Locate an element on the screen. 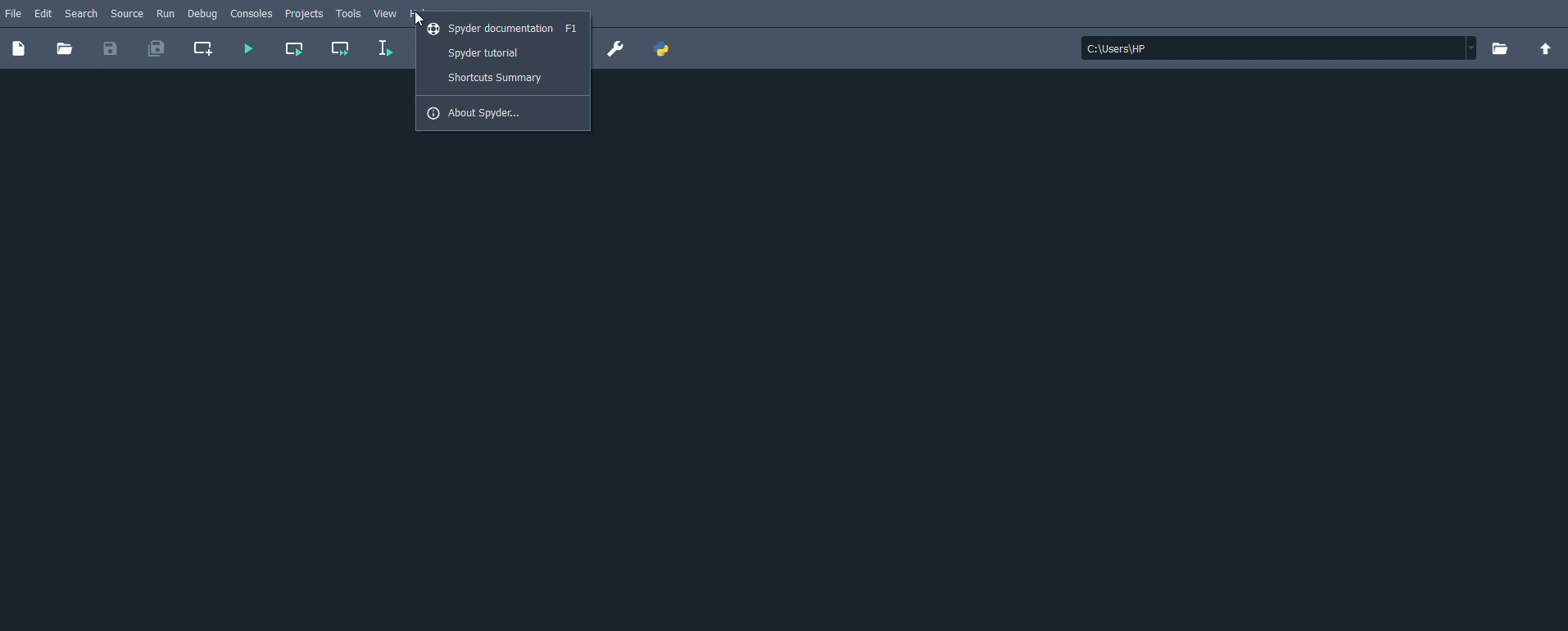 This screenshot has height=631, width=1568. Save file is located at coordinates (111, 48).